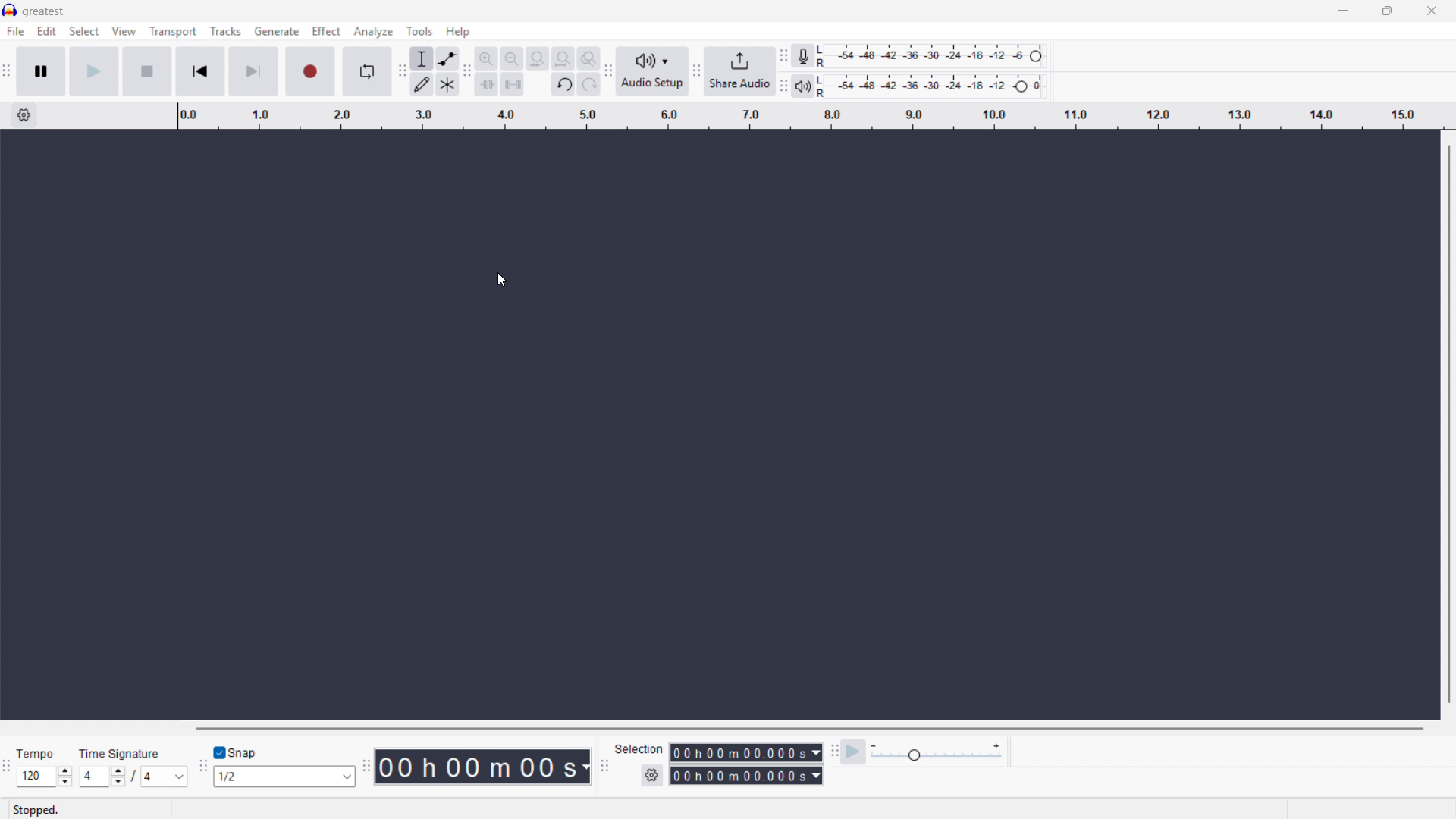 The image size is (1456, 819). What do you see at coordinates (937, 752) in the screenshot?
I see `Playback speed ` at bounding box center [937, 752].